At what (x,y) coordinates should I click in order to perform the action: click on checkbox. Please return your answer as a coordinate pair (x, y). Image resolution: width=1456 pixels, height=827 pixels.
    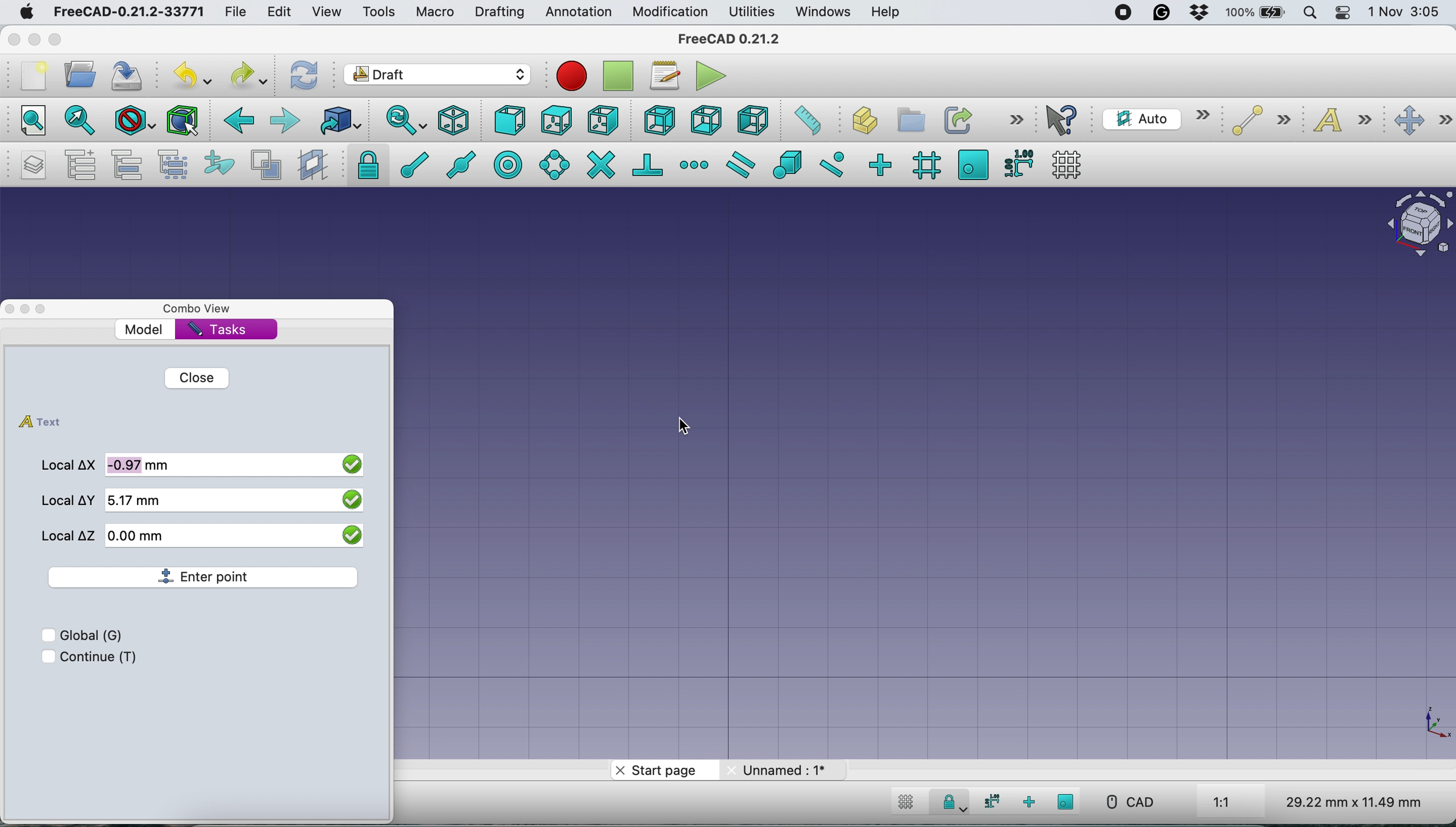
    Looking at the image, I should click on (44, 636).